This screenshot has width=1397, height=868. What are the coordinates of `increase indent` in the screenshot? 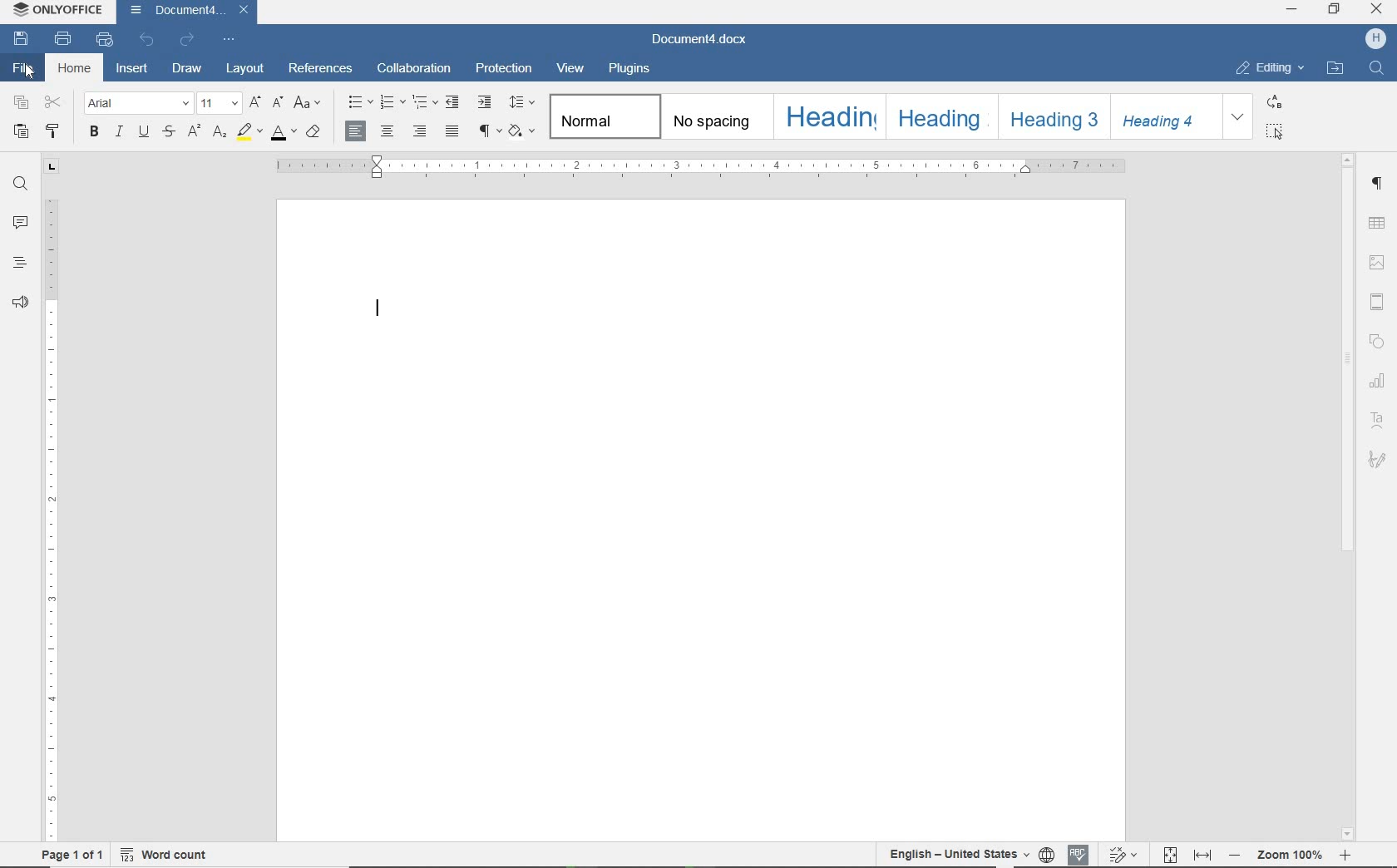 It's located at (486, 103).